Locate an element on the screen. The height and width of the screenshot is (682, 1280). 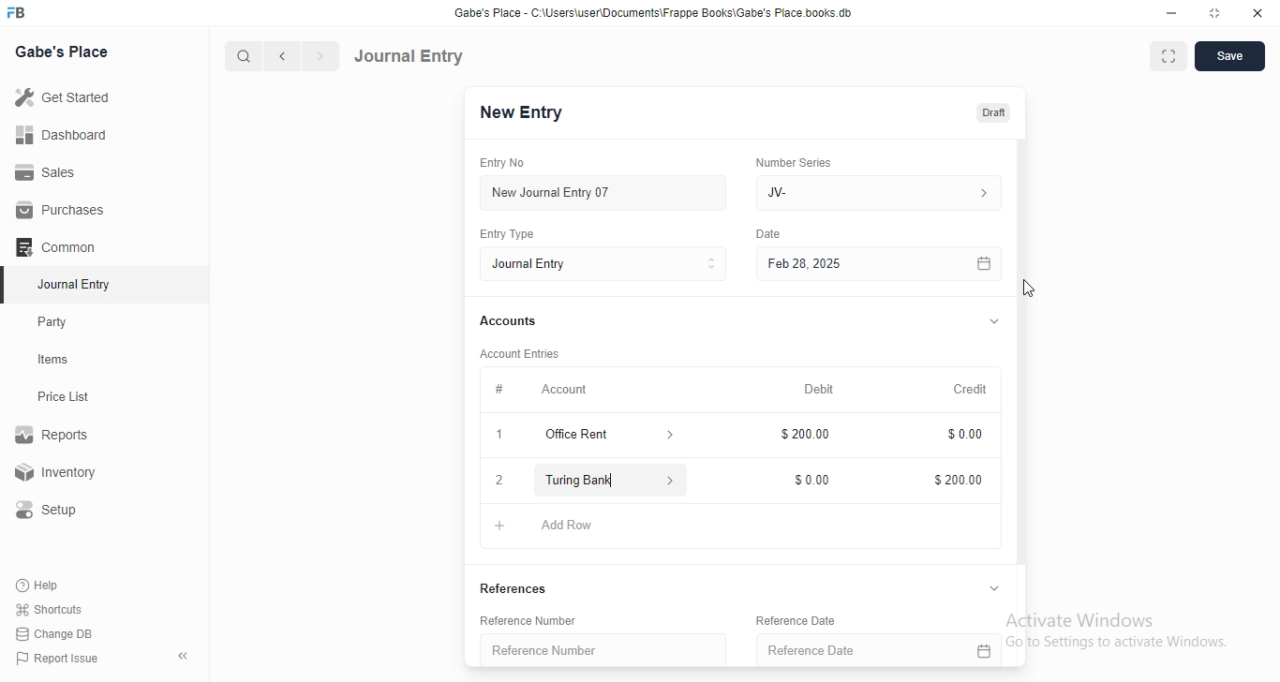
Date is located at coordinates (762, 233).